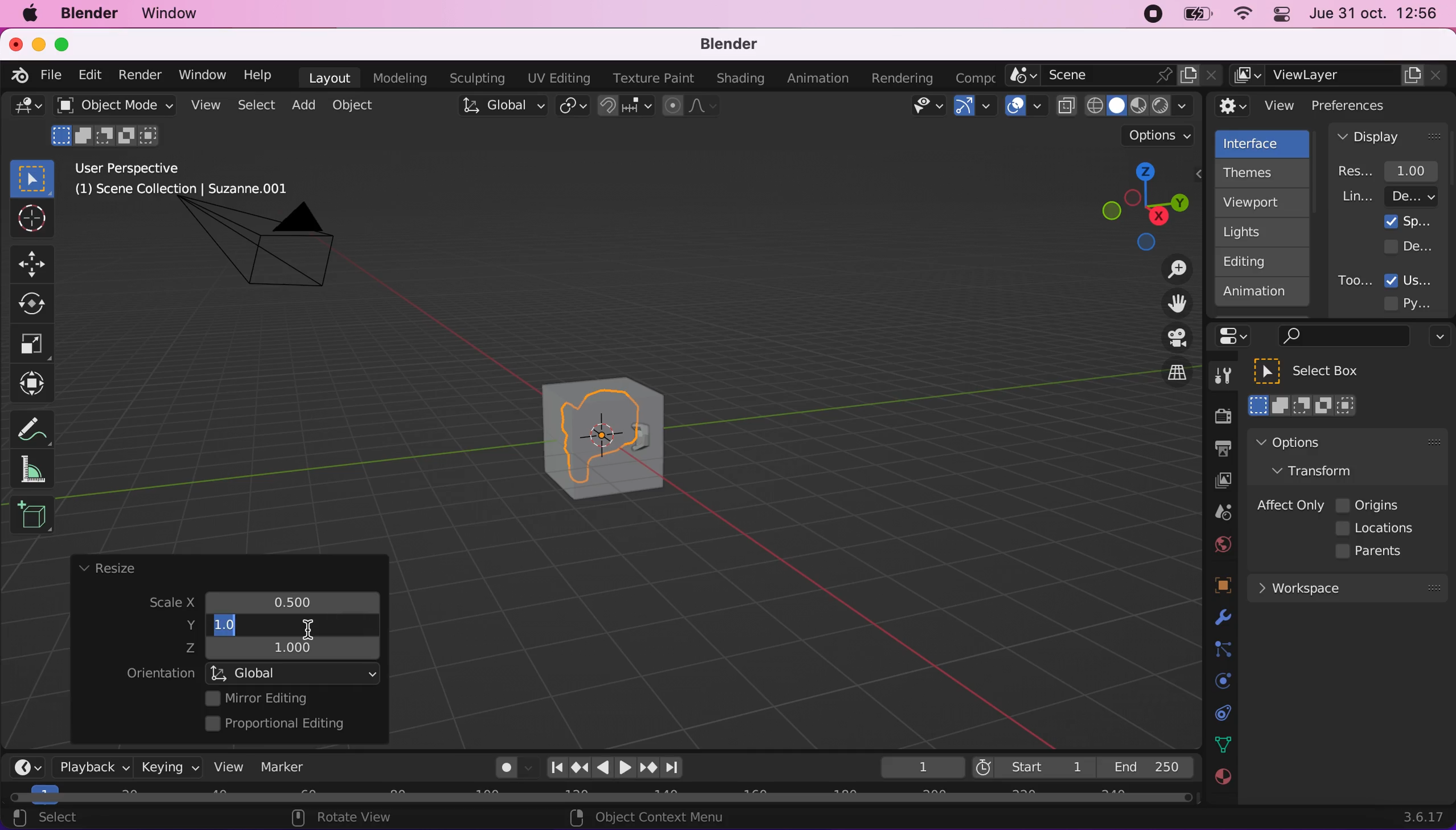  Describe the element at coordinates (1369, 503) in the screenshot. I see `origins` at that location.